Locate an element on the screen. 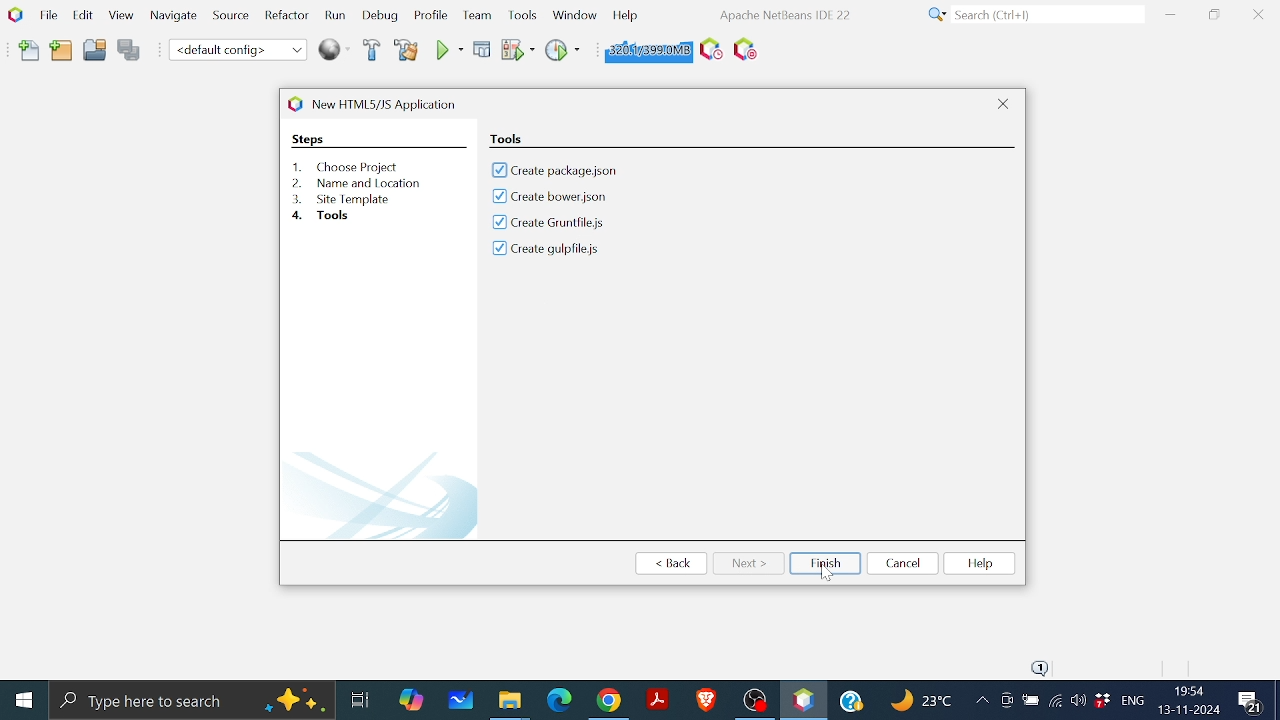 The height and width of the screenshot is (720, 1280). Navigate is located at coordinates (174, 19).